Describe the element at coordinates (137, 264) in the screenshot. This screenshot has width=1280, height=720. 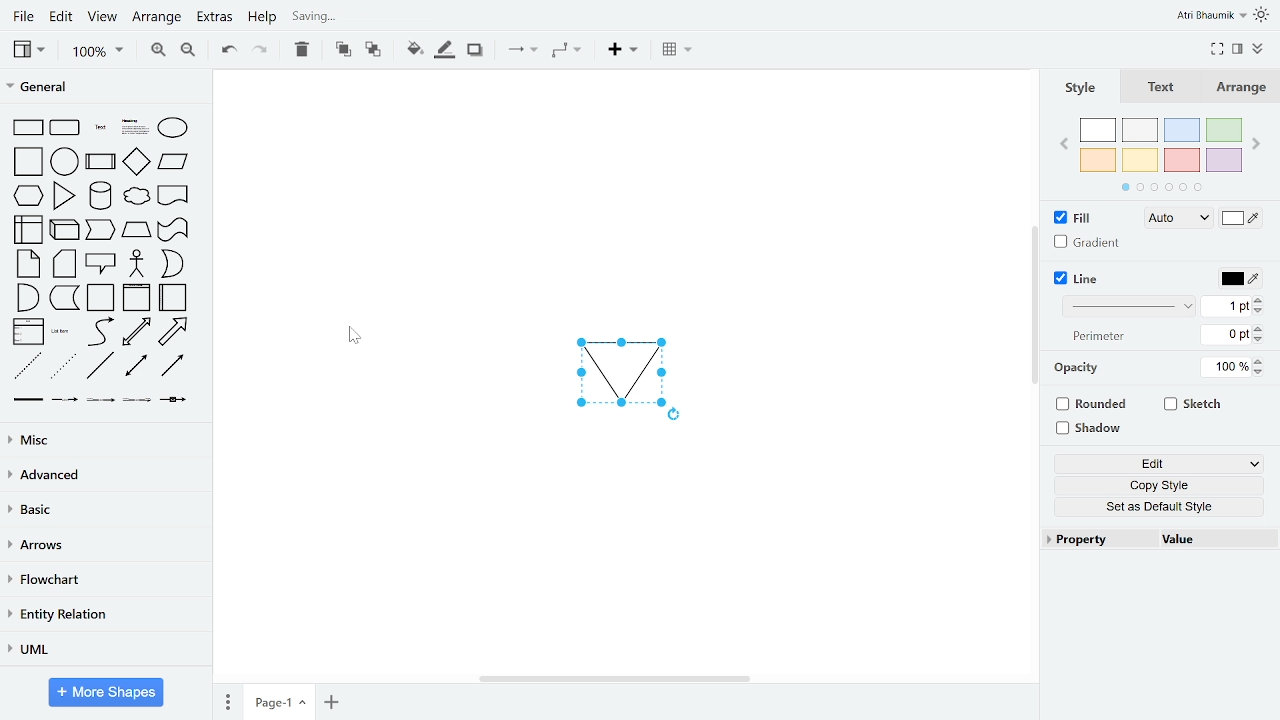
I see `actor` at that location.